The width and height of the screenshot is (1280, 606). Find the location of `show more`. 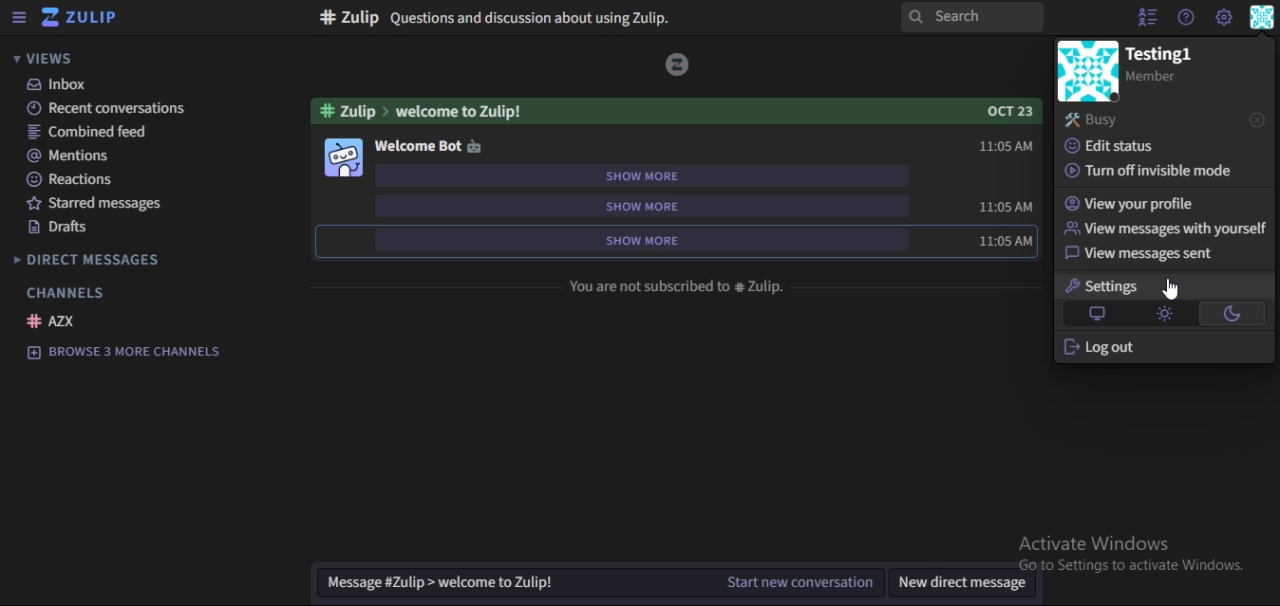

show more is located at coordinates (648, 239).